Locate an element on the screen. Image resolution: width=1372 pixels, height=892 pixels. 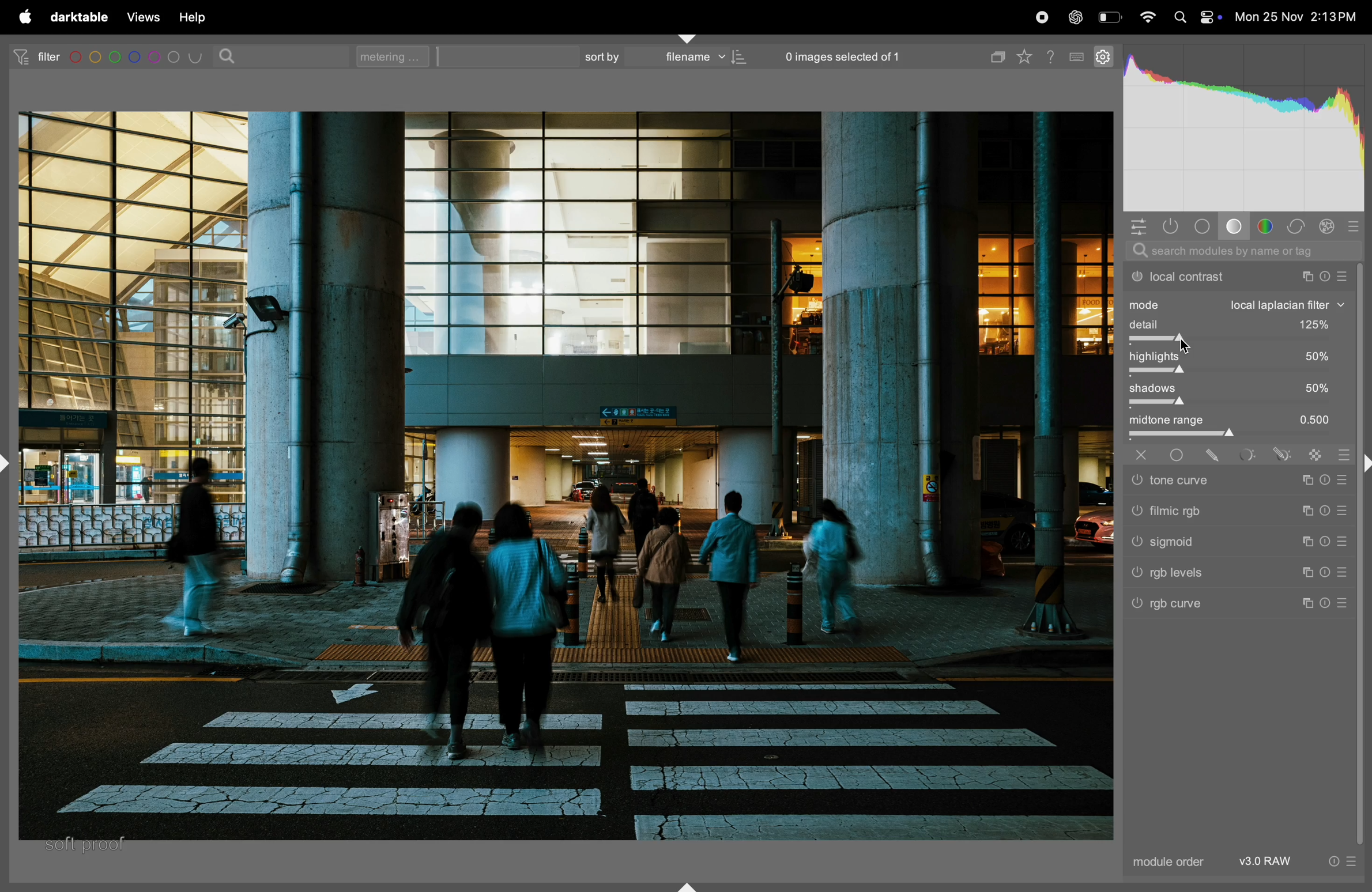
settings is located at coordinates (1102, 55).